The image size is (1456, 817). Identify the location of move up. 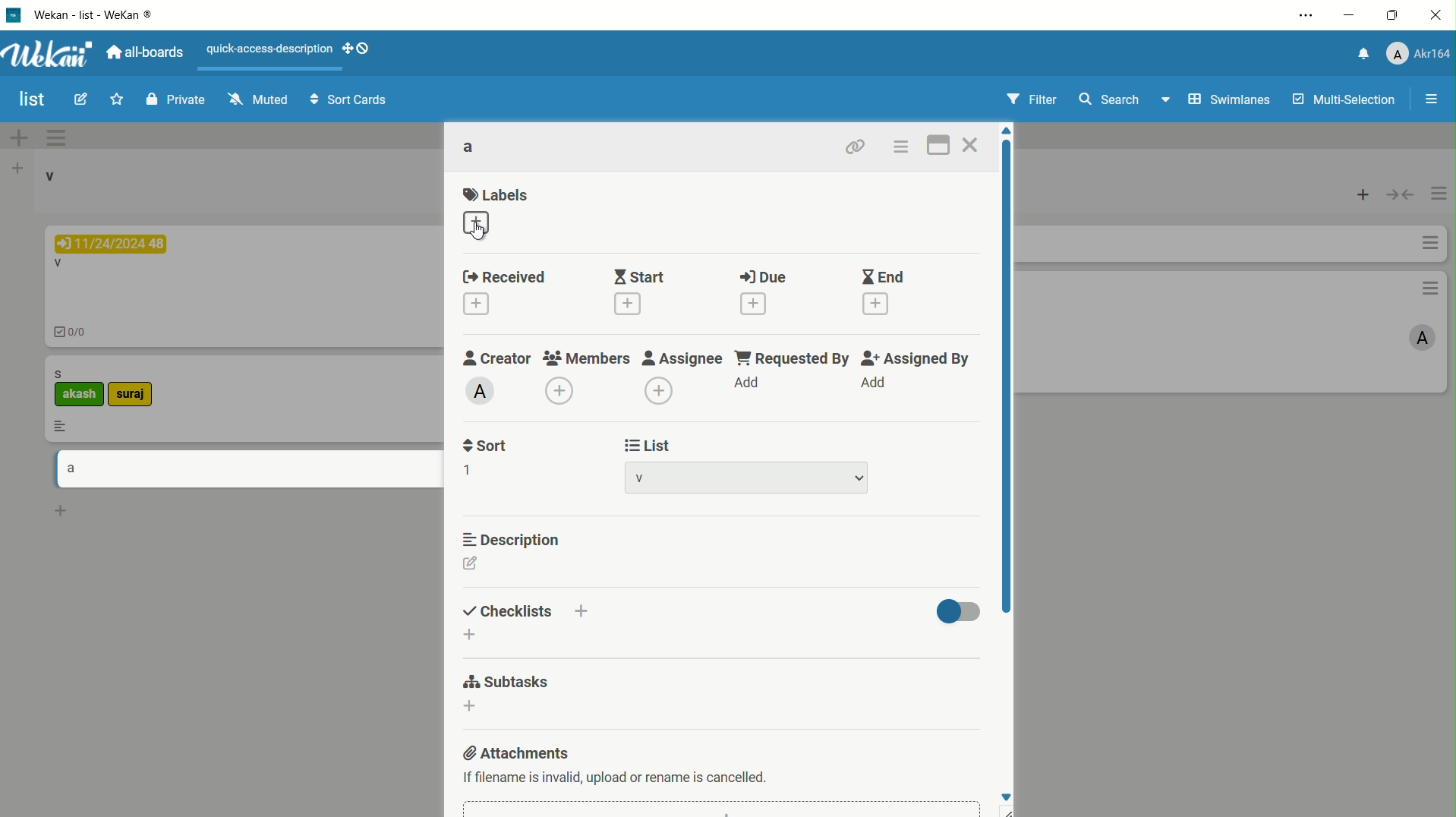
(1006, 131).